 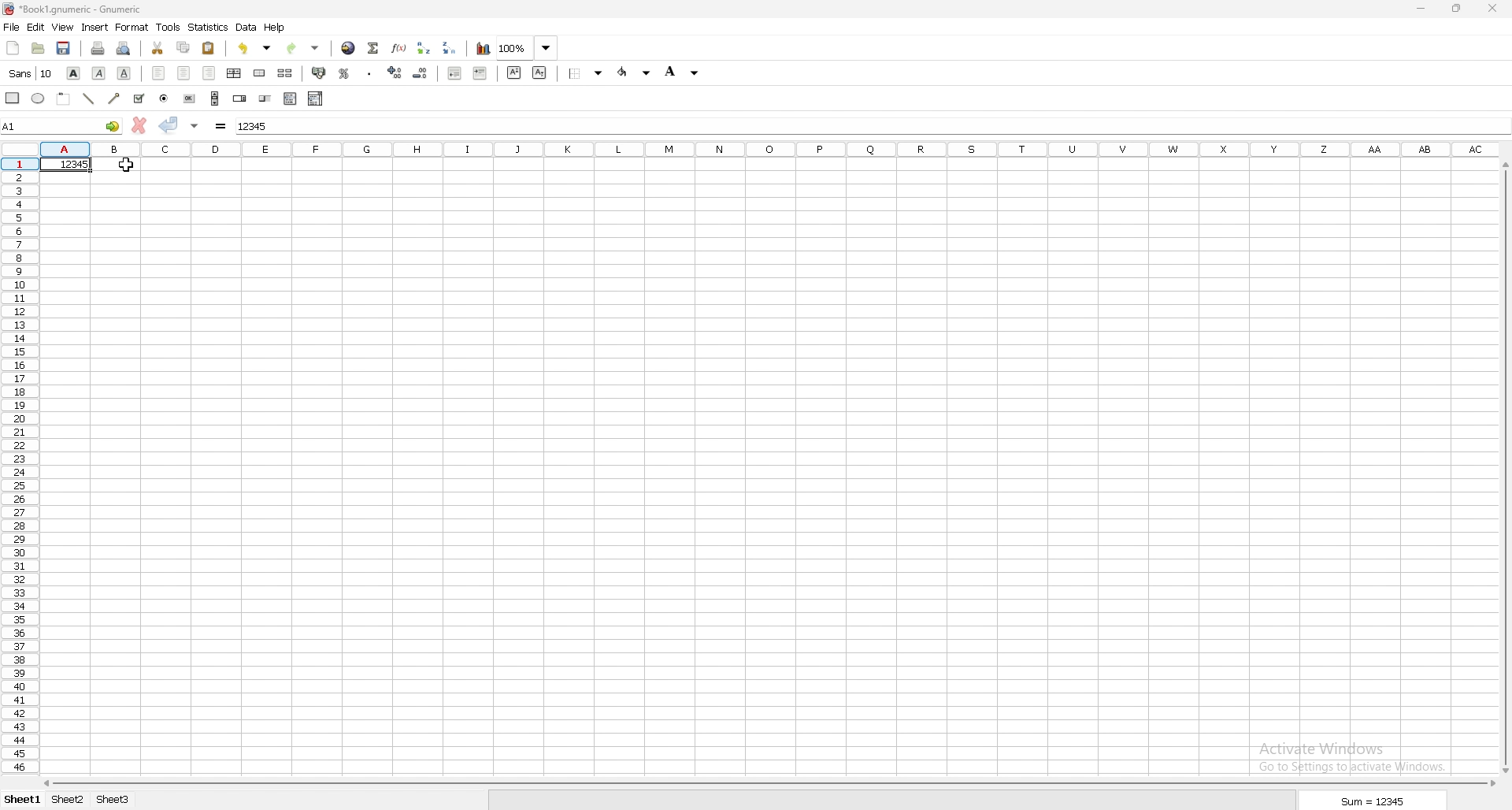 What do you see at coordinates (116, 98) in the screenshot?
I see `arrowed line` at bounding box center [116, 98].